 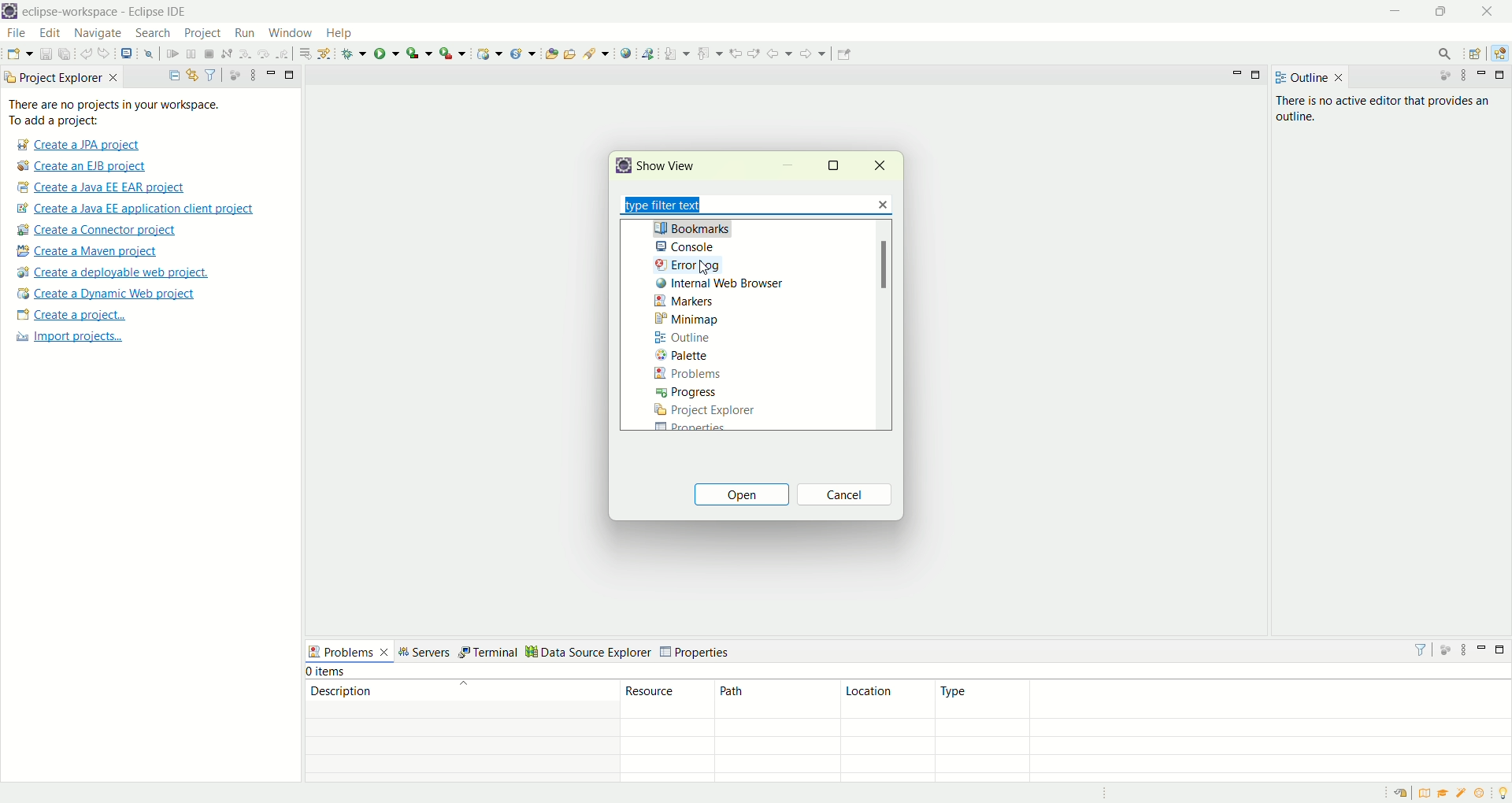 What do you see at coordinates (1500, 651) in the screenshot?
I see `maximize` at bounding box center [1500, 651].